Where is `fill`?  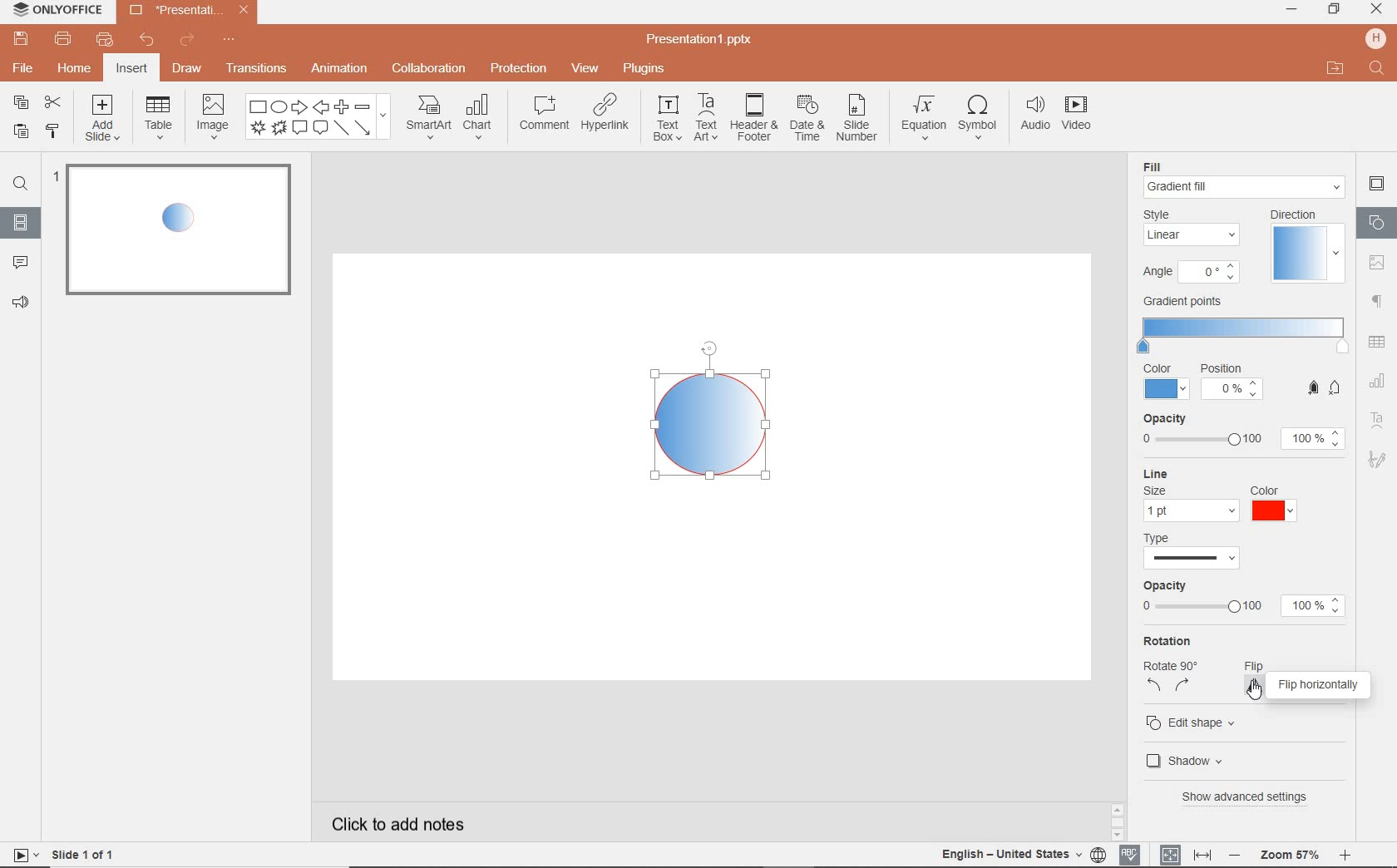
fill is located at coordinates (1162, 165).